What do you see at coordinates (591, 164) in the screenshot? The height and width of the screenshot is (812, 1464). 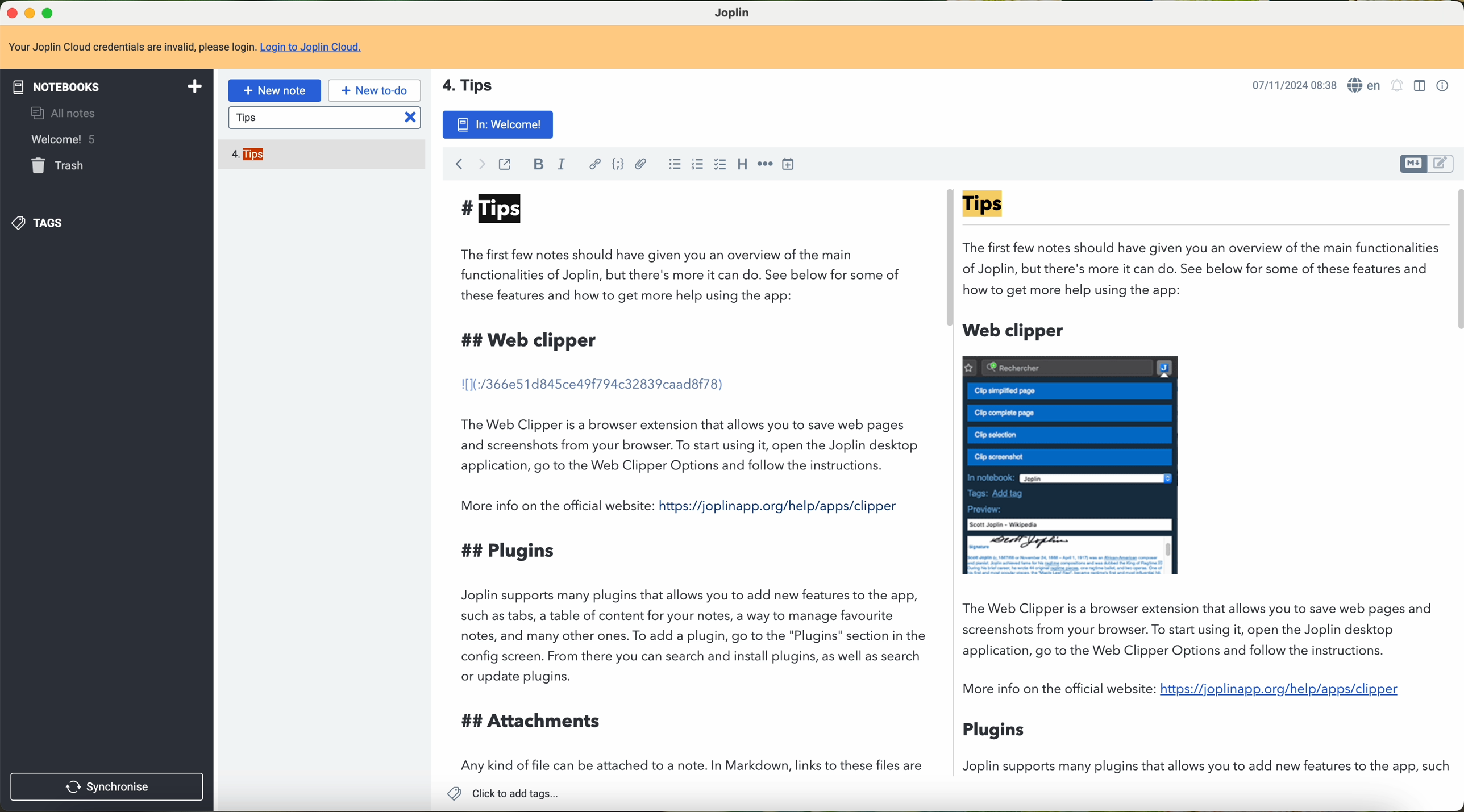 I see `hyperlink` at bounding box center [591, 164].